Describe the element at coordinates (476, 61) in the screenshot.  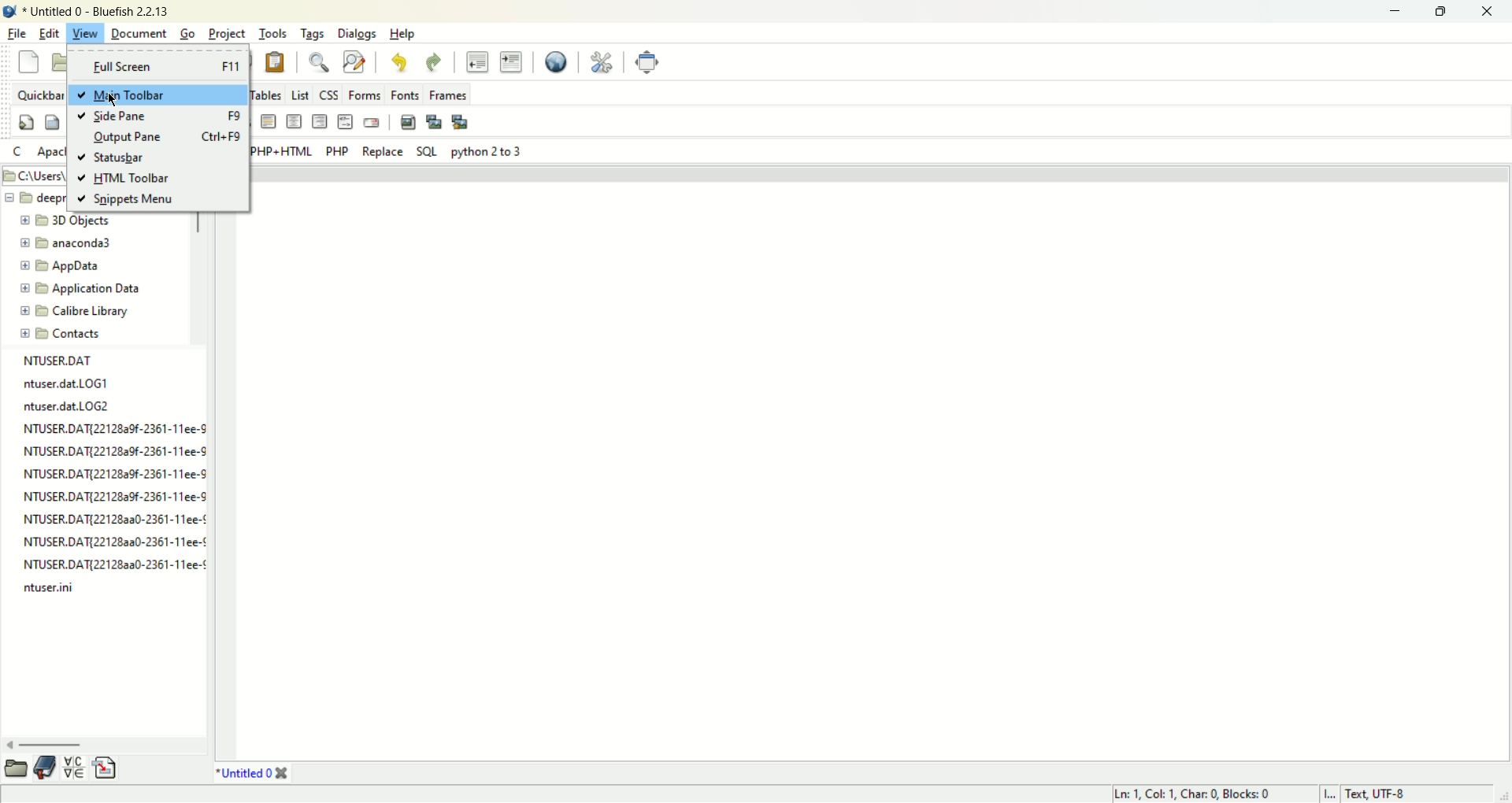
I see `unindent` at that location.